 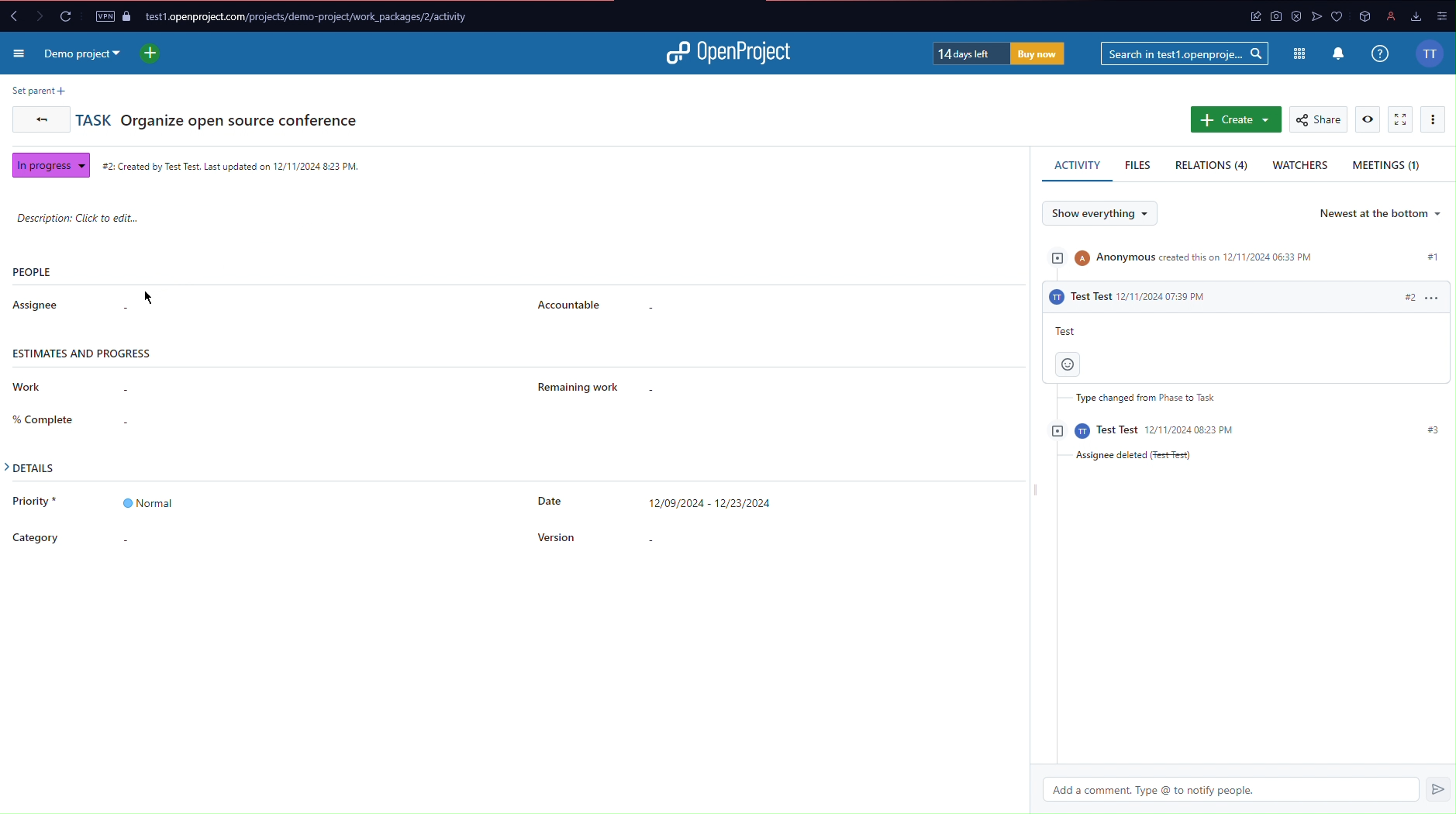 I want to click on More, so click(x=21, y=53).